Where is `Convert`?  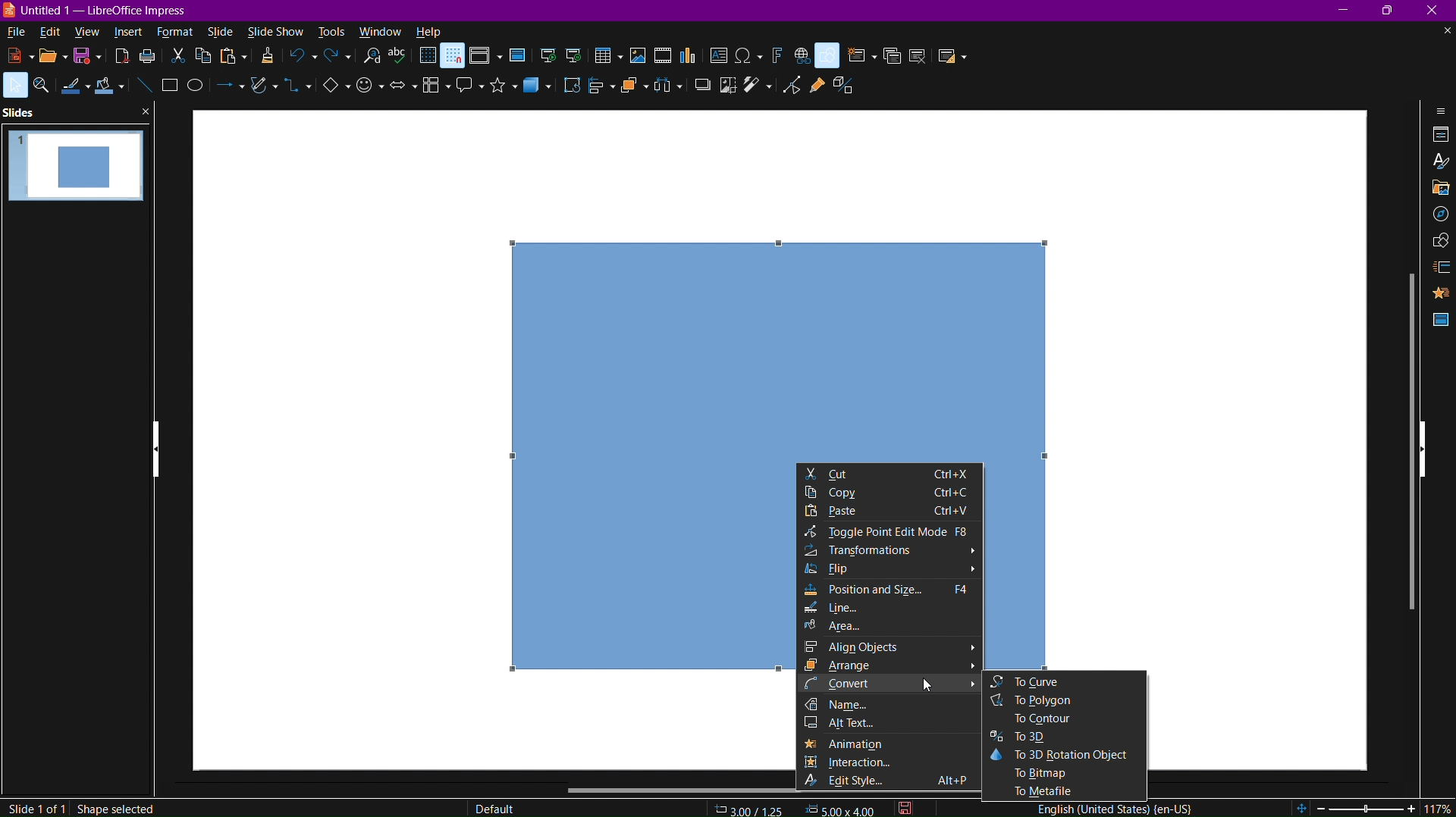 Convert is located at coordinates (888, 684).